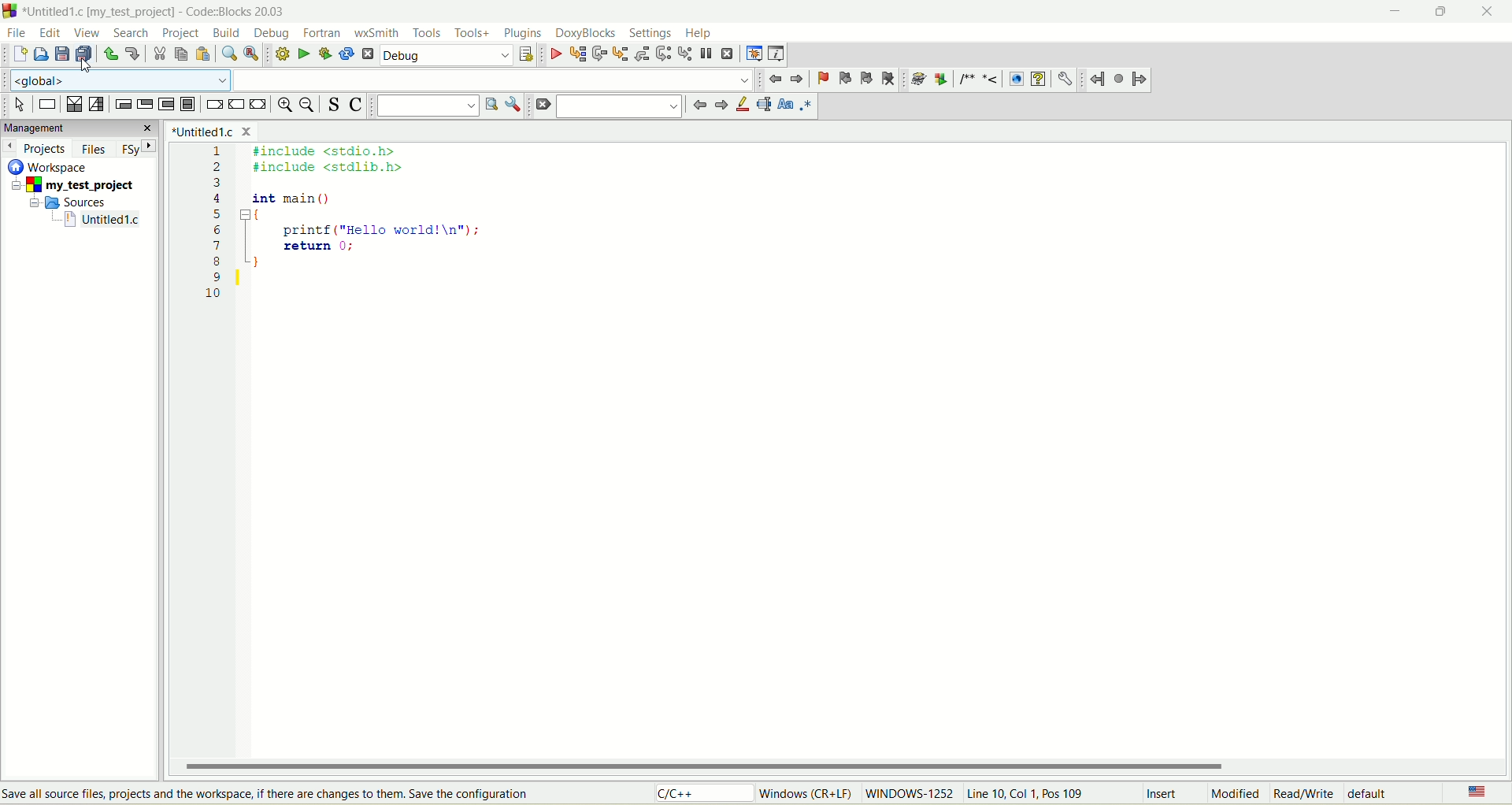 The width and height of the screenshot is (1512, 805). What do you see at coordinates (20, 106) in the screenshot?
I see `select` at bounding box center [20, 106].